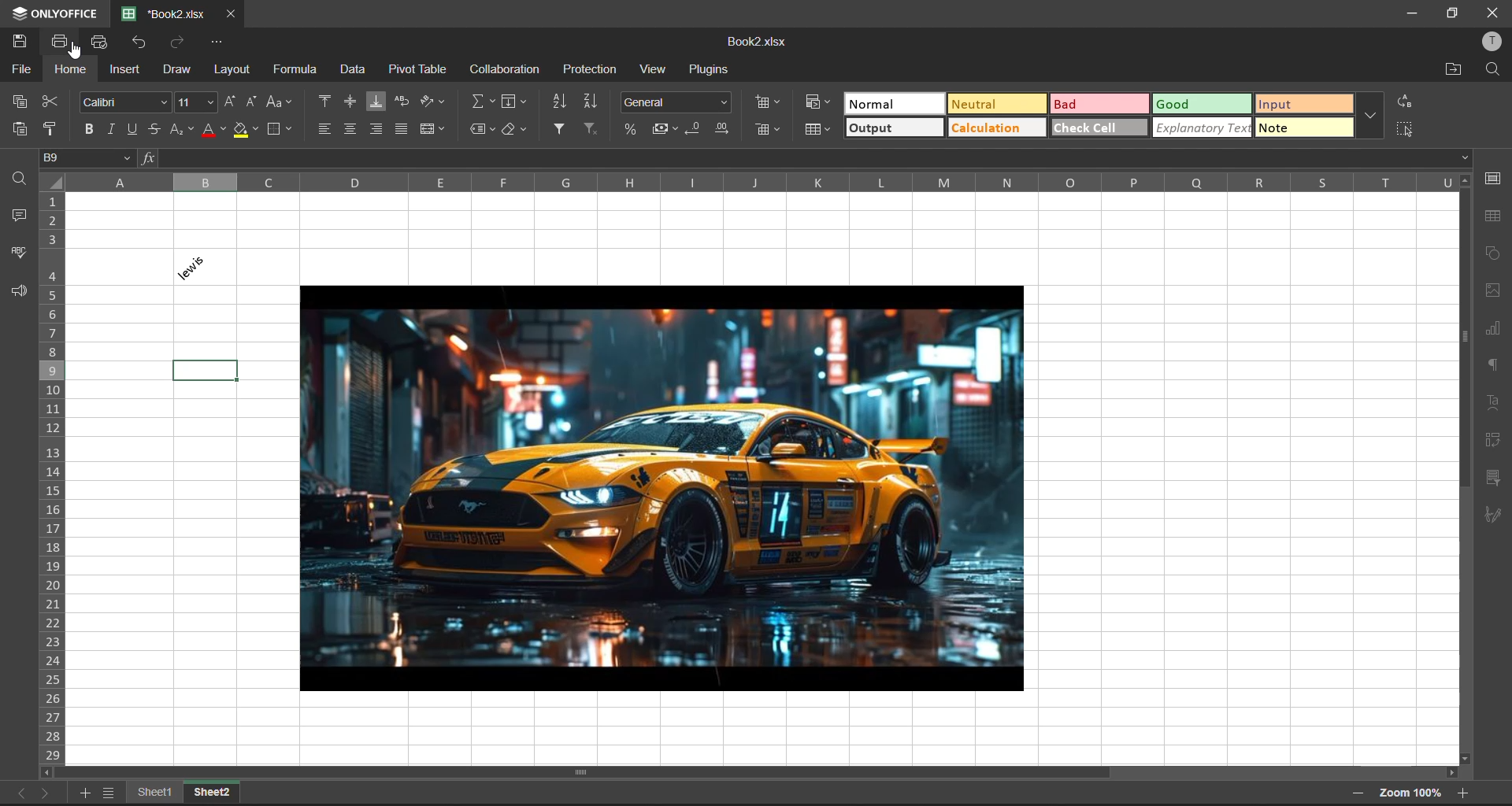  Describe the element at coordinates (18, 102) in the screenshot. I see `copy` at that location.